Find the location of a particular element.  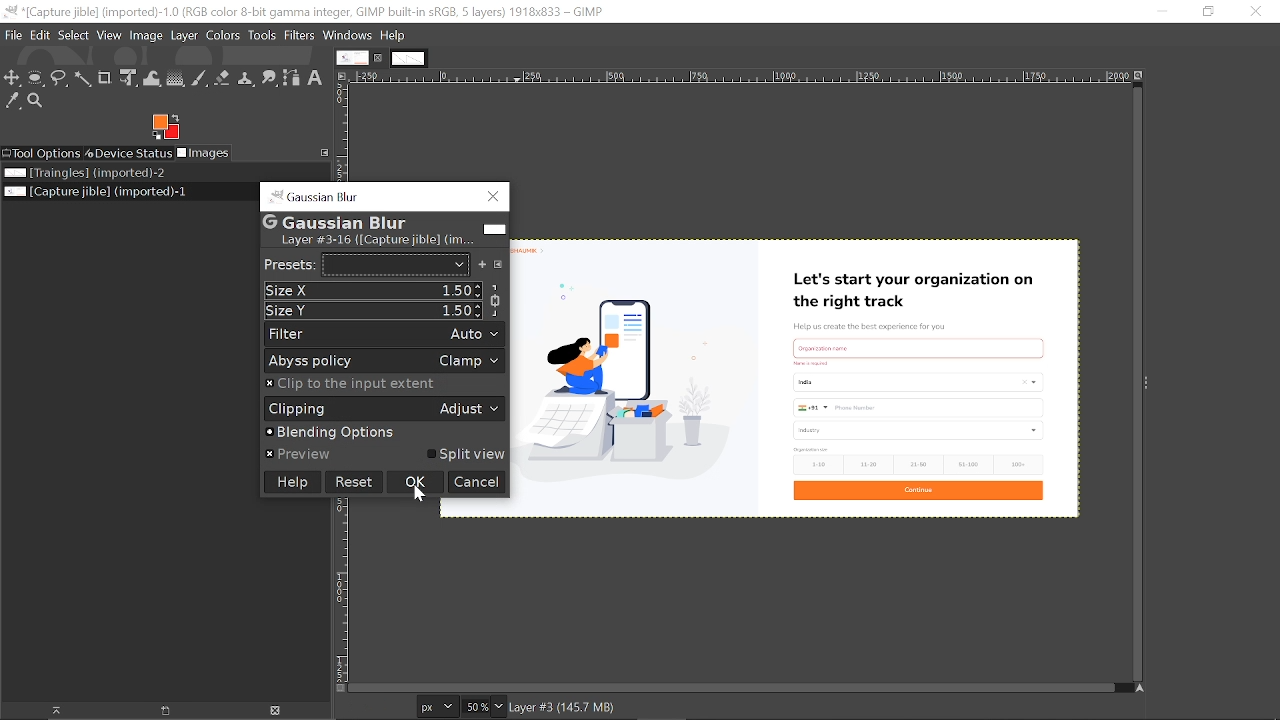

Current window is located at coordinates (306, 11).